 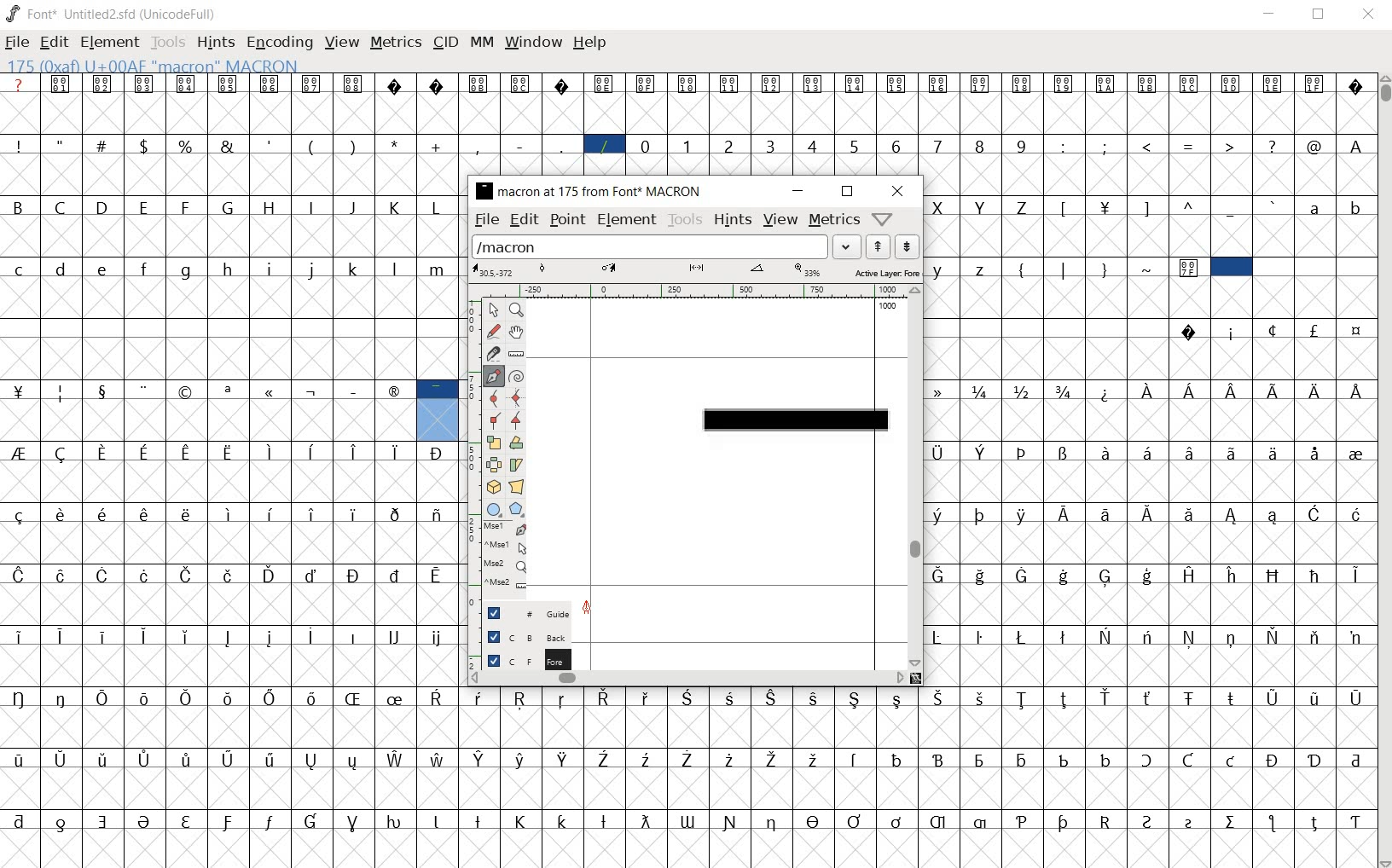 I want to click on pan, so click(x=517, y=331).